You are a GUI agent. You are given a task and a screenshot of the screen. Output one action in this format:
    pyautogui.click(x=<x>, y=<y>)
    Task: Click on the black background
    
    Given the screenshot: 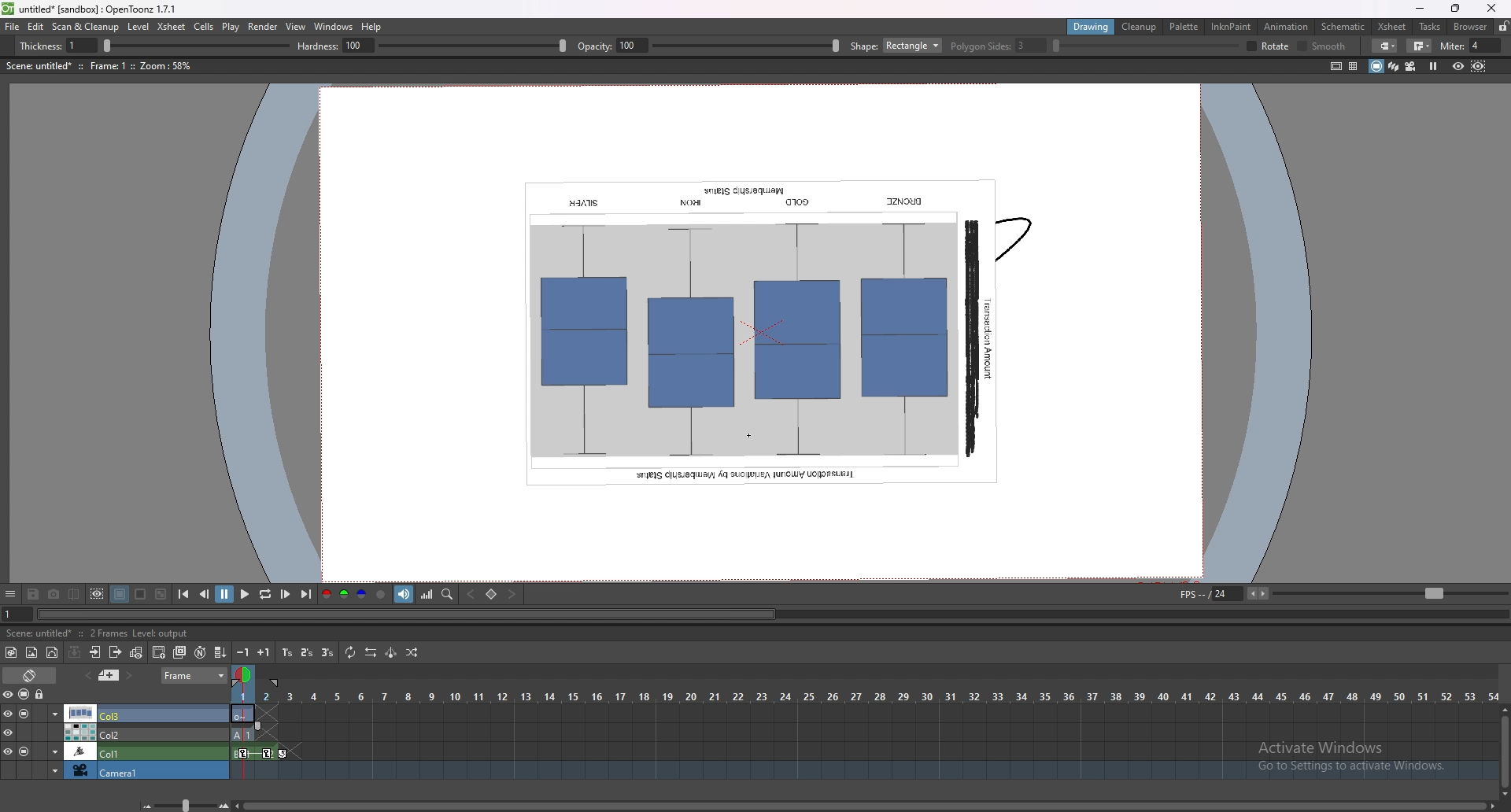 What is the action you would take?
    pyautogui.click(x=120, y=594)
    